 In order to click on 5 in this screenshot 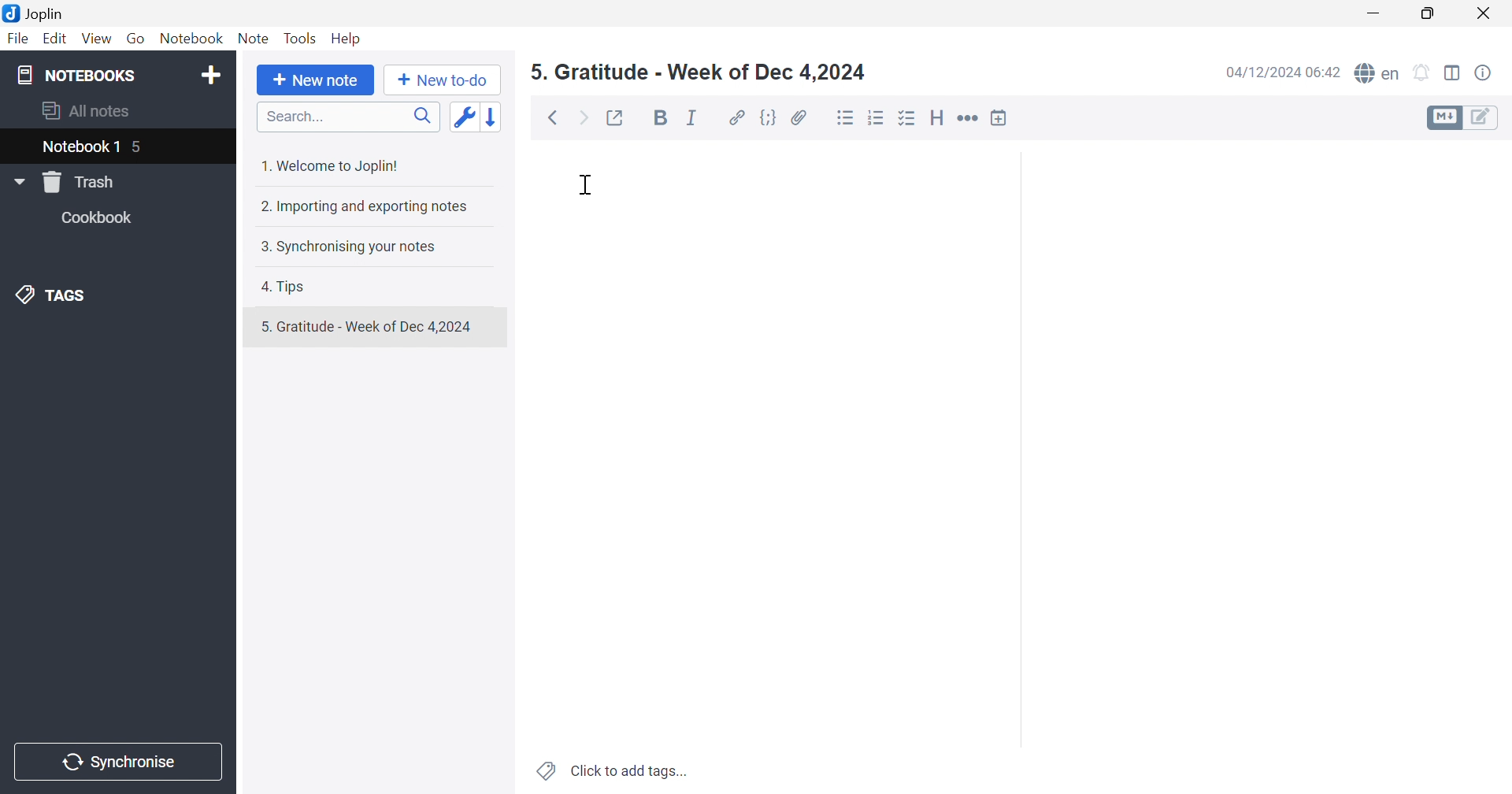, I will do `click(139, 145)`.